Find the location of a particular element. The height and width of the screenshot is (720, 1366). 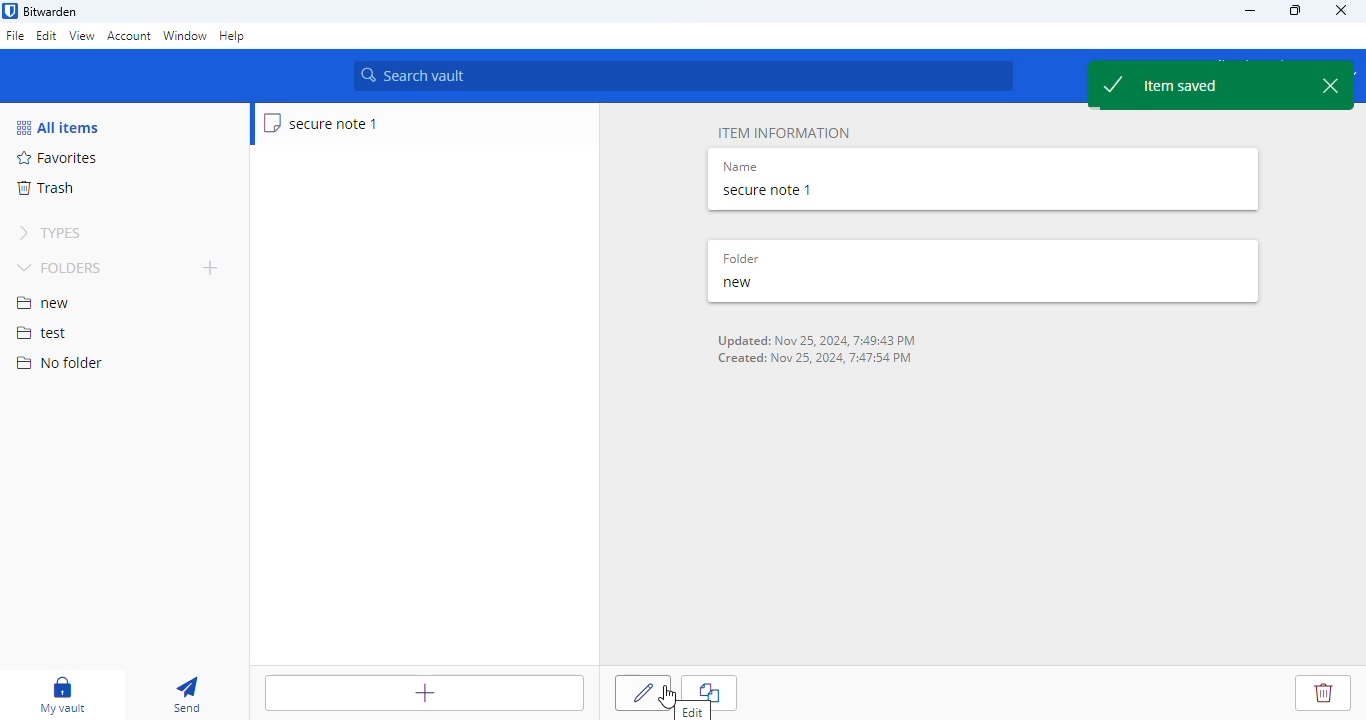

secure note 1 is located at coordinates (322, 123).